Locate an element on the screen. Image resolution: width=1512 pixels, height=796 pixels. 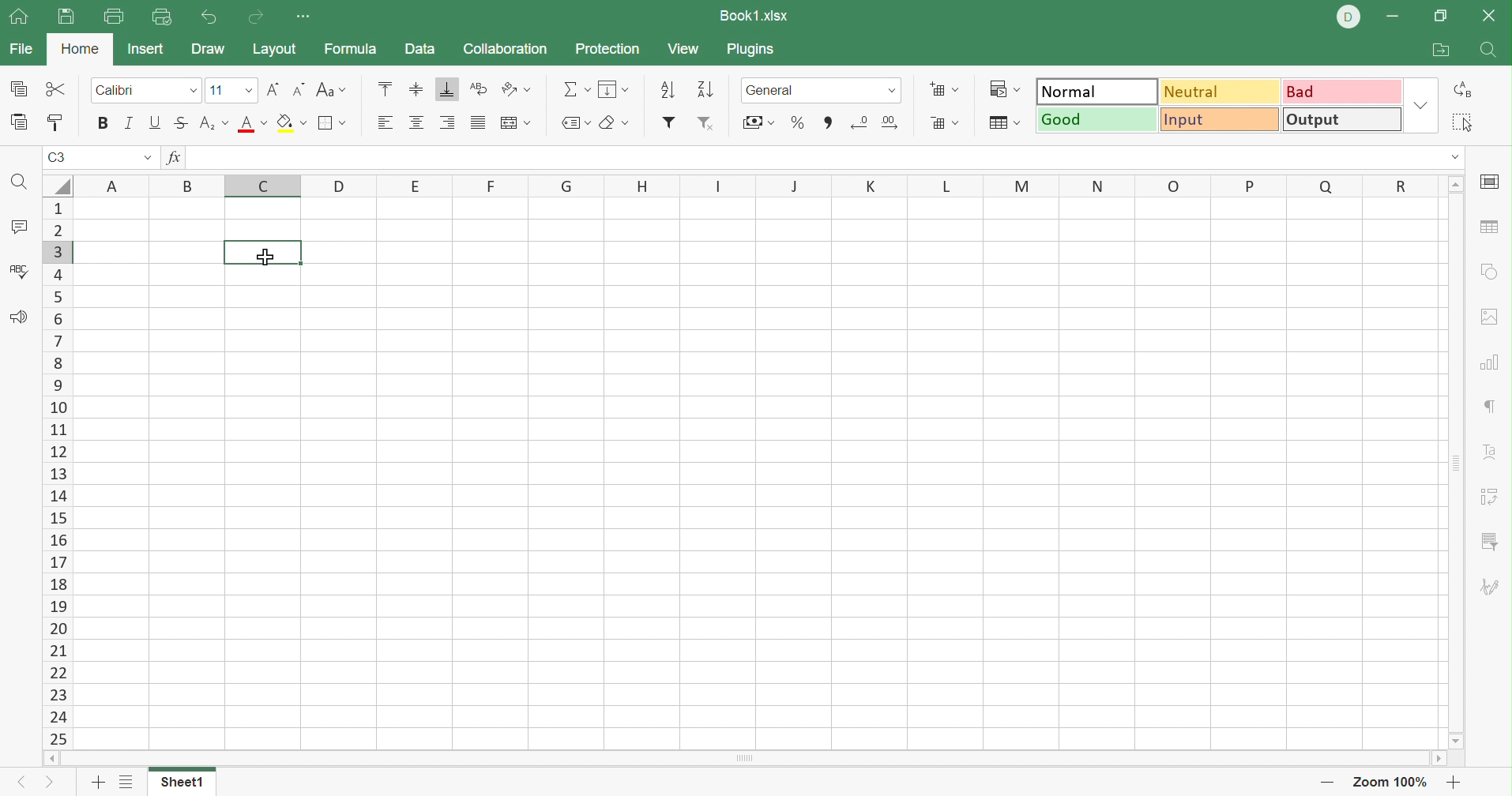
Plugins is located at coordinates (751, 50).